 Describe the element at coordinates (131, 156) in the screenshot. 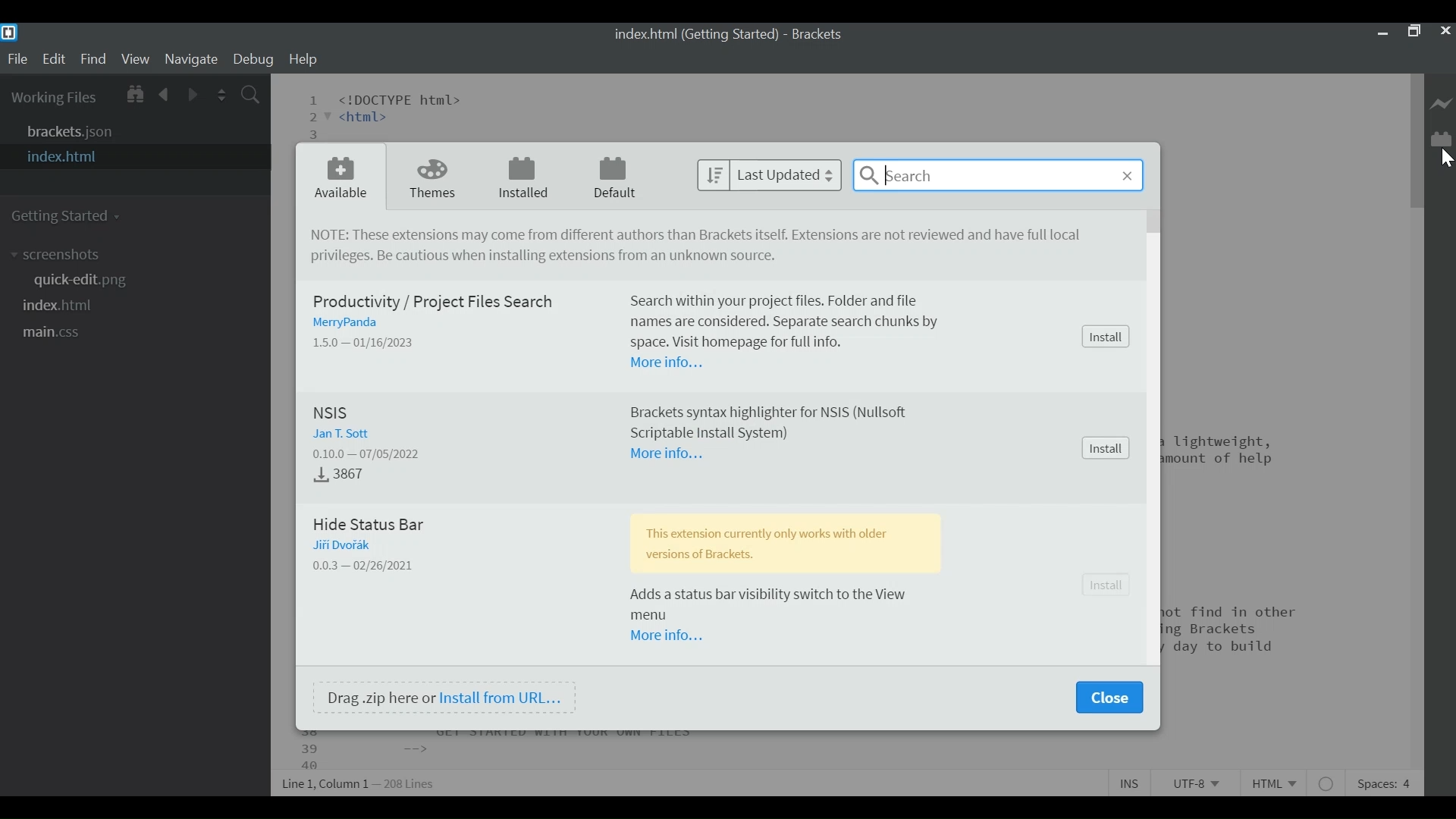

I see `index.html` at that location.